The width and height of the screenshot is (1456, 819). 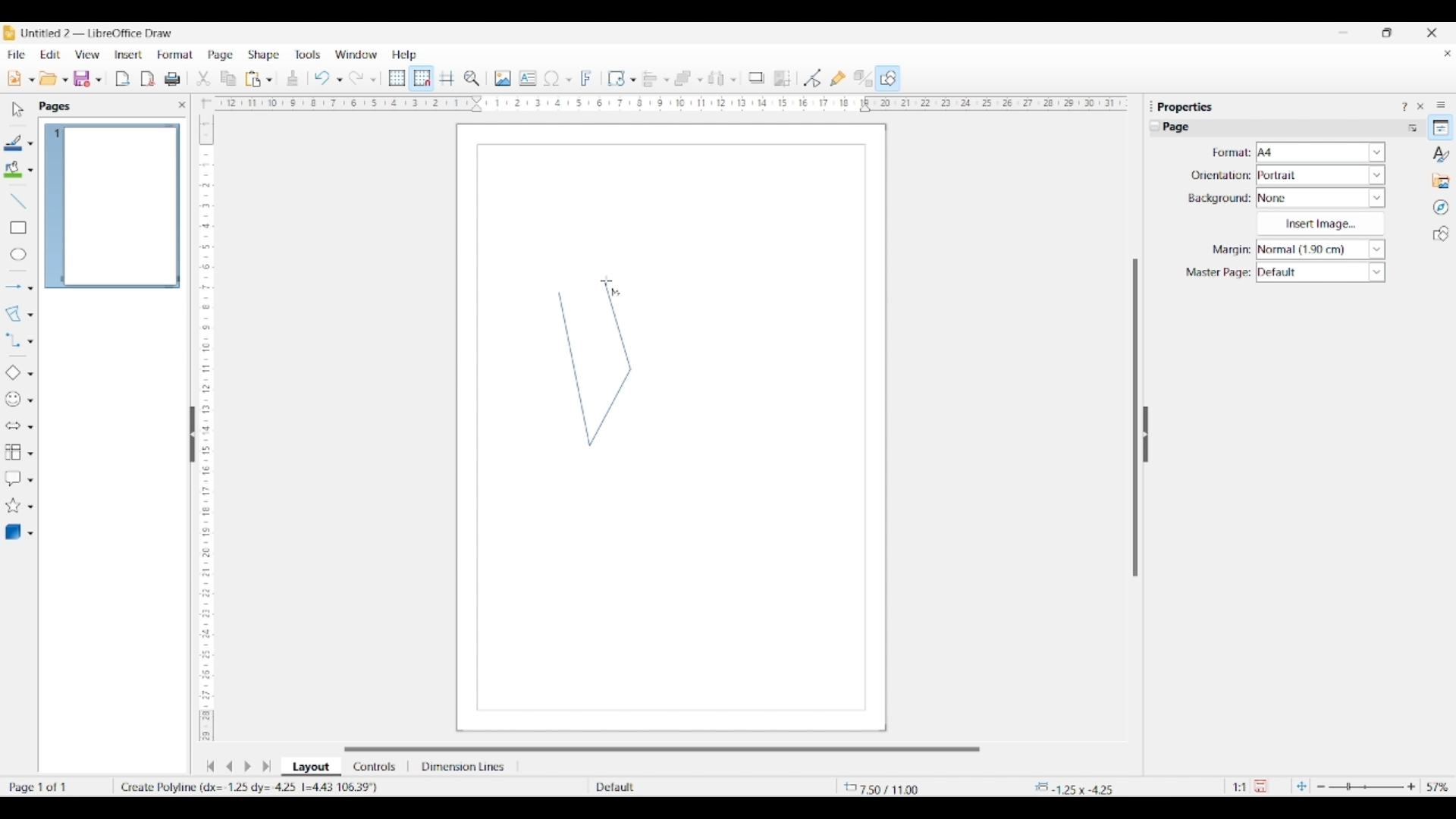 I want to click on Basic shape options, so click(x=30, y=374).